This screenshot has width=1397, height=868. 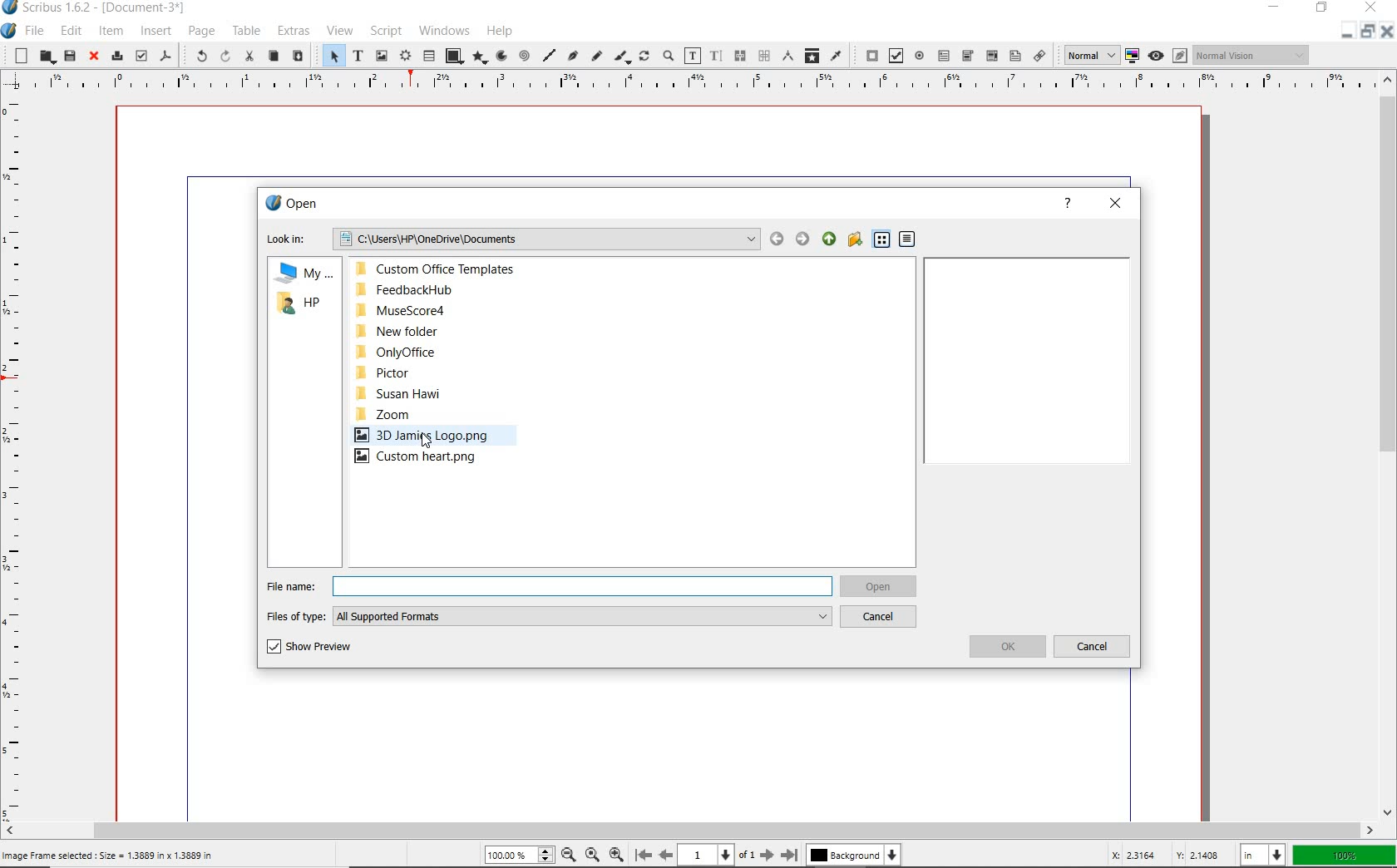 I want to click on SCROLLBAR, so click(x=689, y=830).